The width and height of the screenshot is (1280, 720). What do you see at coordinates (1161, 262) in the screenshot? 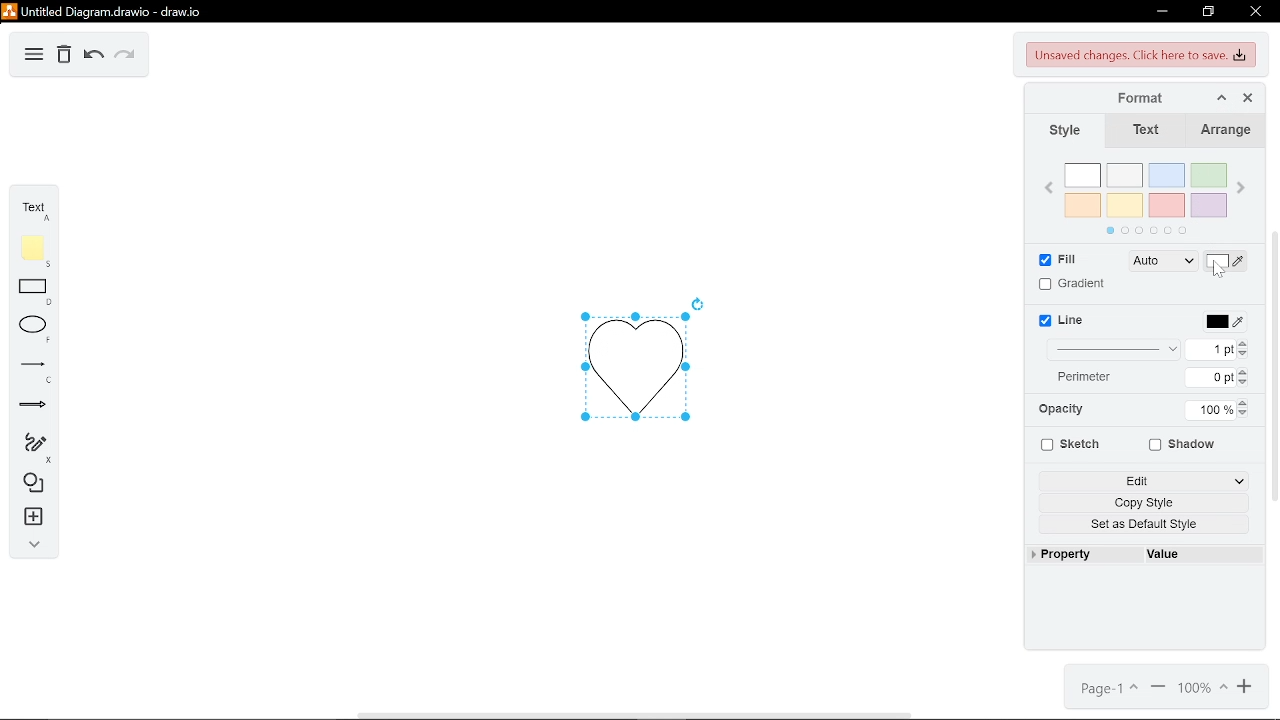
I see `fill style` at bounding box center [1161, 262].